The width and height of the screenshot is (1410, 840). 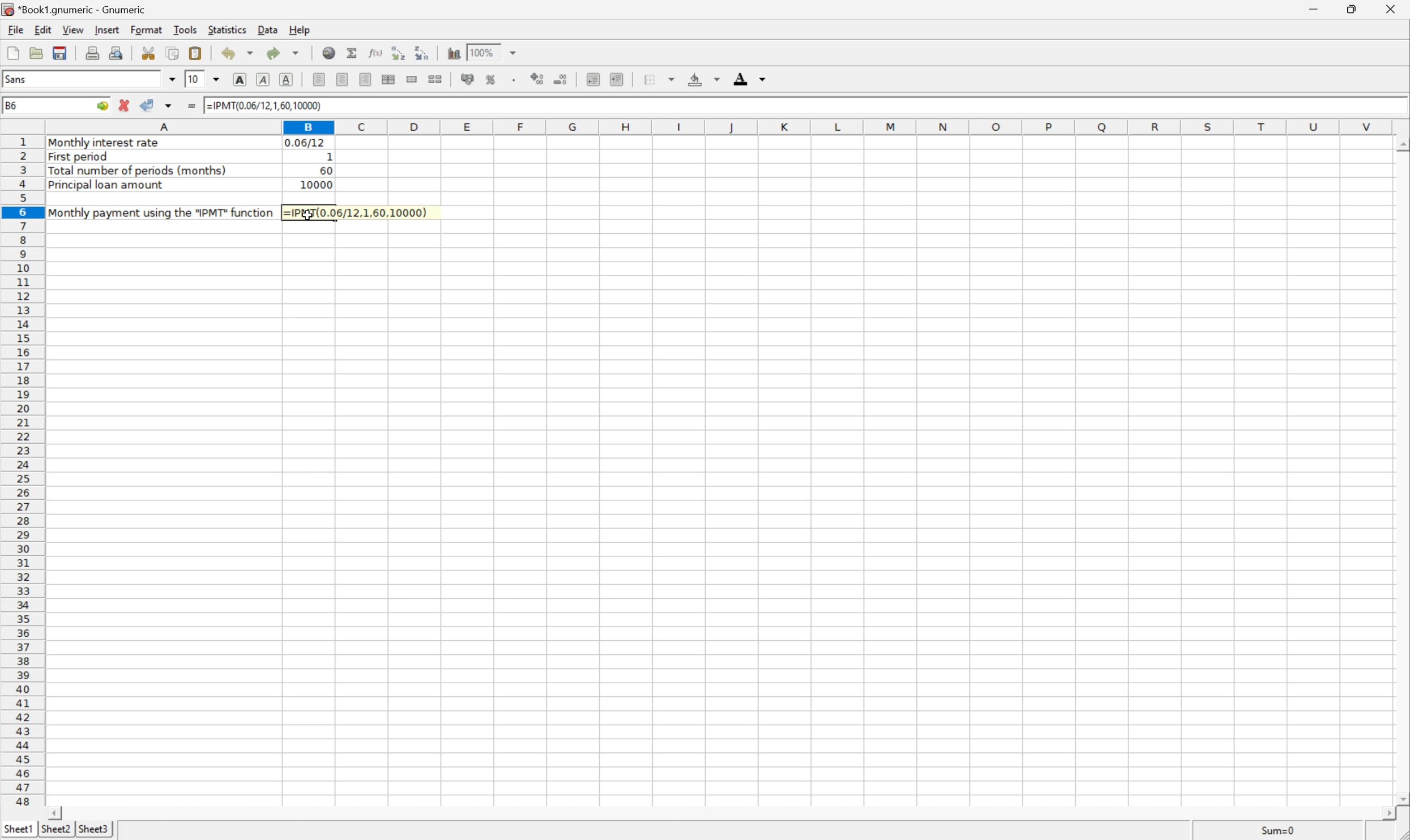 What do you see at coordinates (266, 104) in the screenshot?
I see `=IPMT(0.06/12,1,60,10000)` at bounding box center [266, 104].